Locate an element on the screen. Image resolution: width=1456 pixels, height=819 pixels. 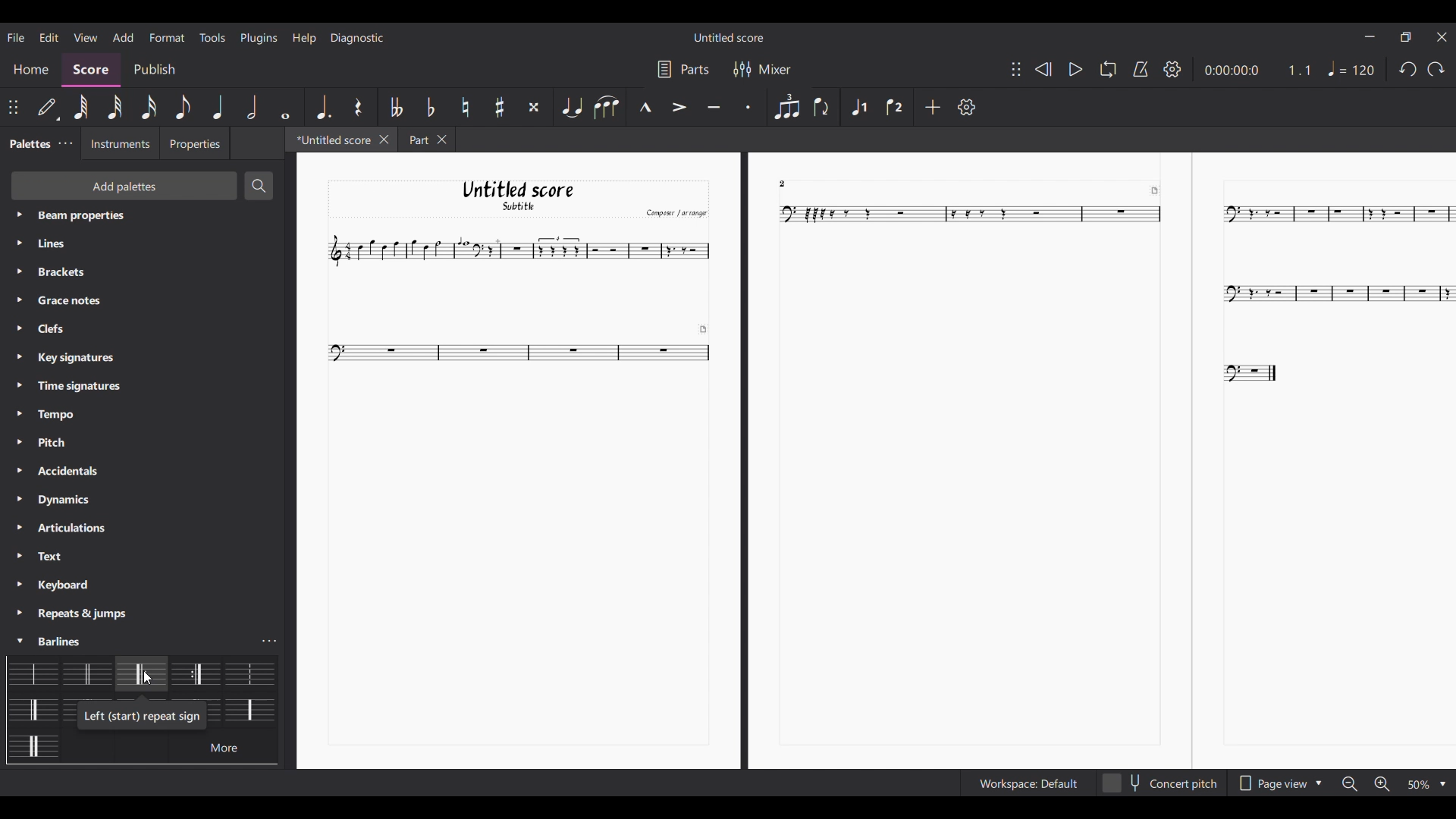
Change position is located at coordinates (1016, 69).